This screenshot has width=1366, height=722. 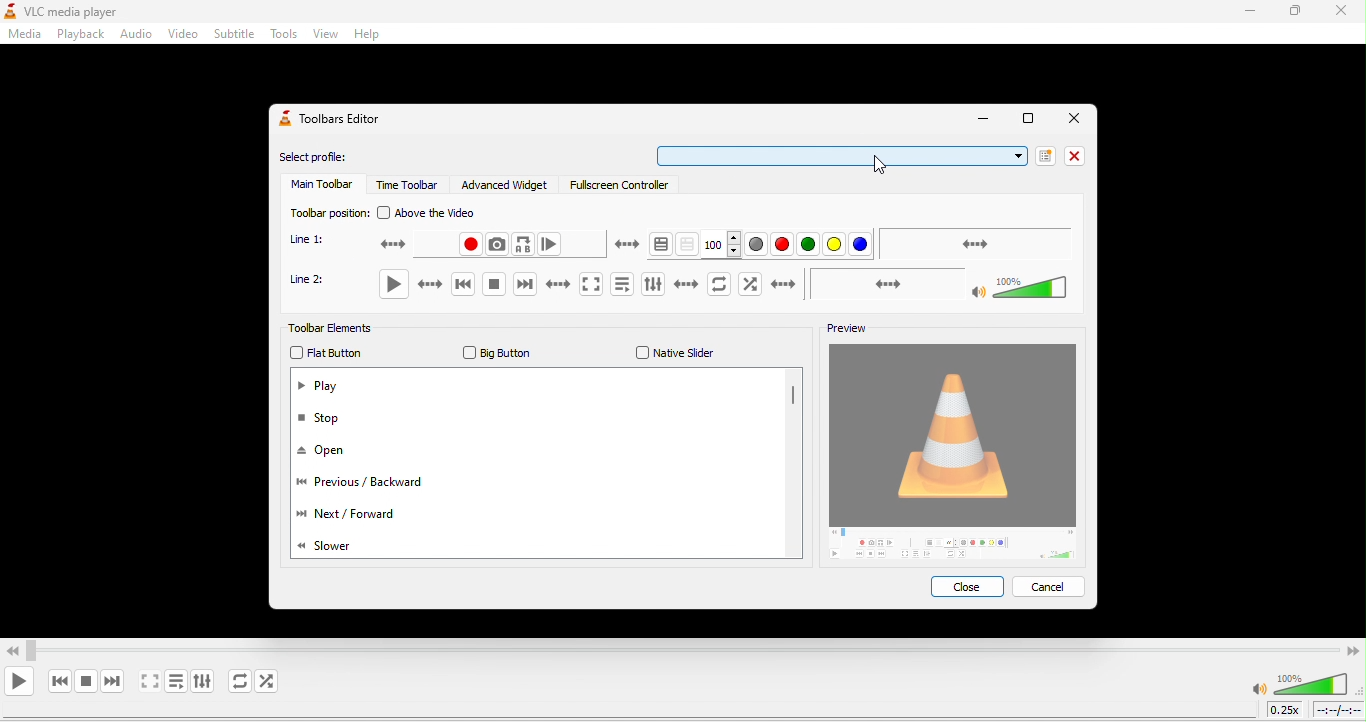 What do you see at coordinates (337, 328) in the screenshot?
I see `toolbar elements` at bounding box center [337, 328].